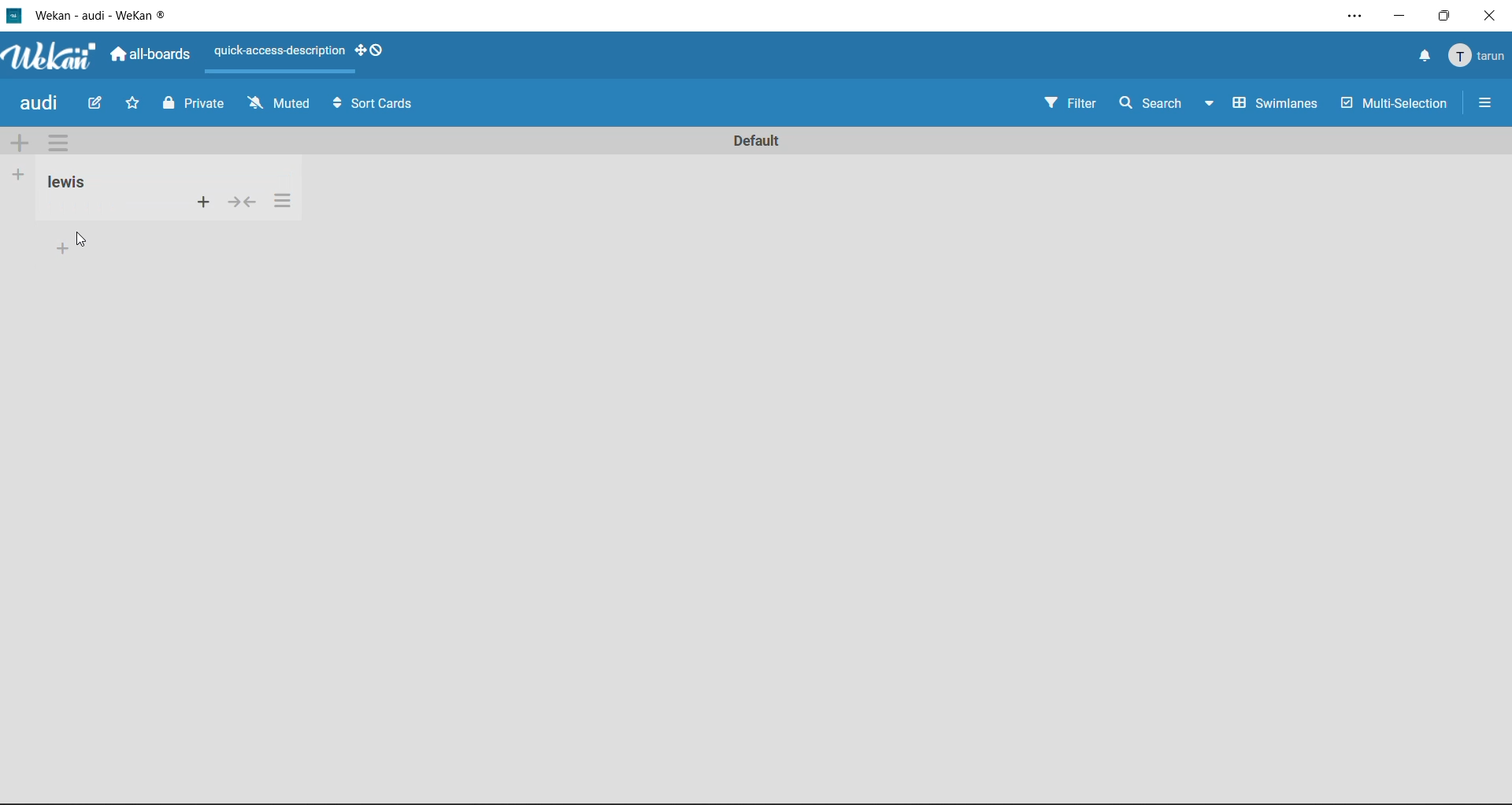  Describe the element at coordinates (1495, 16) in the screenshot. I see `close` at that location.